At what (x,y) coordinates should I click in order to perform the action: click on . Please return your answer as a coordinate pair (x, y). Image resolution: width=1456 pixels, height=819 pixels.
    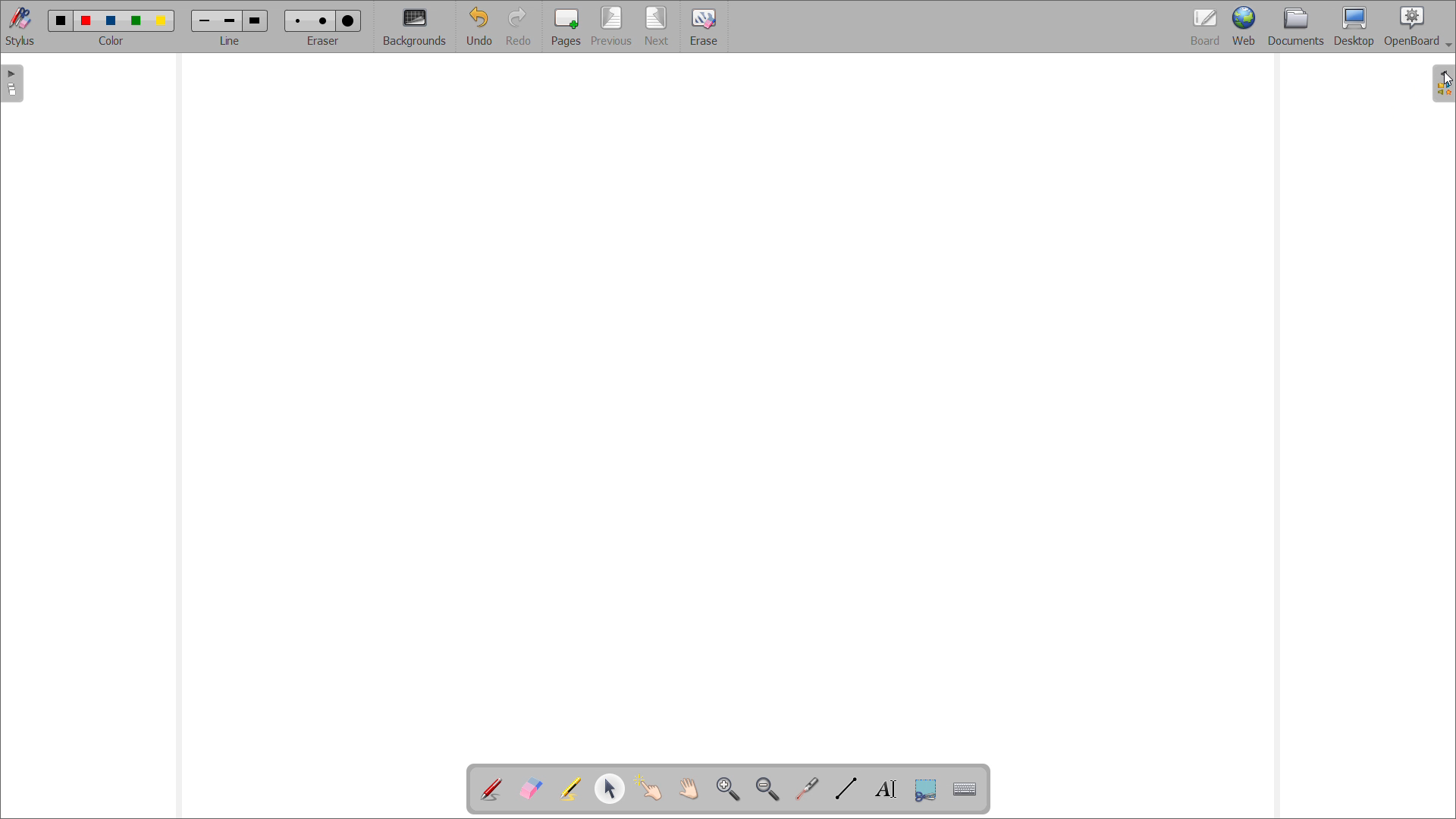
    Looking at the image, I should click on (925, 790).